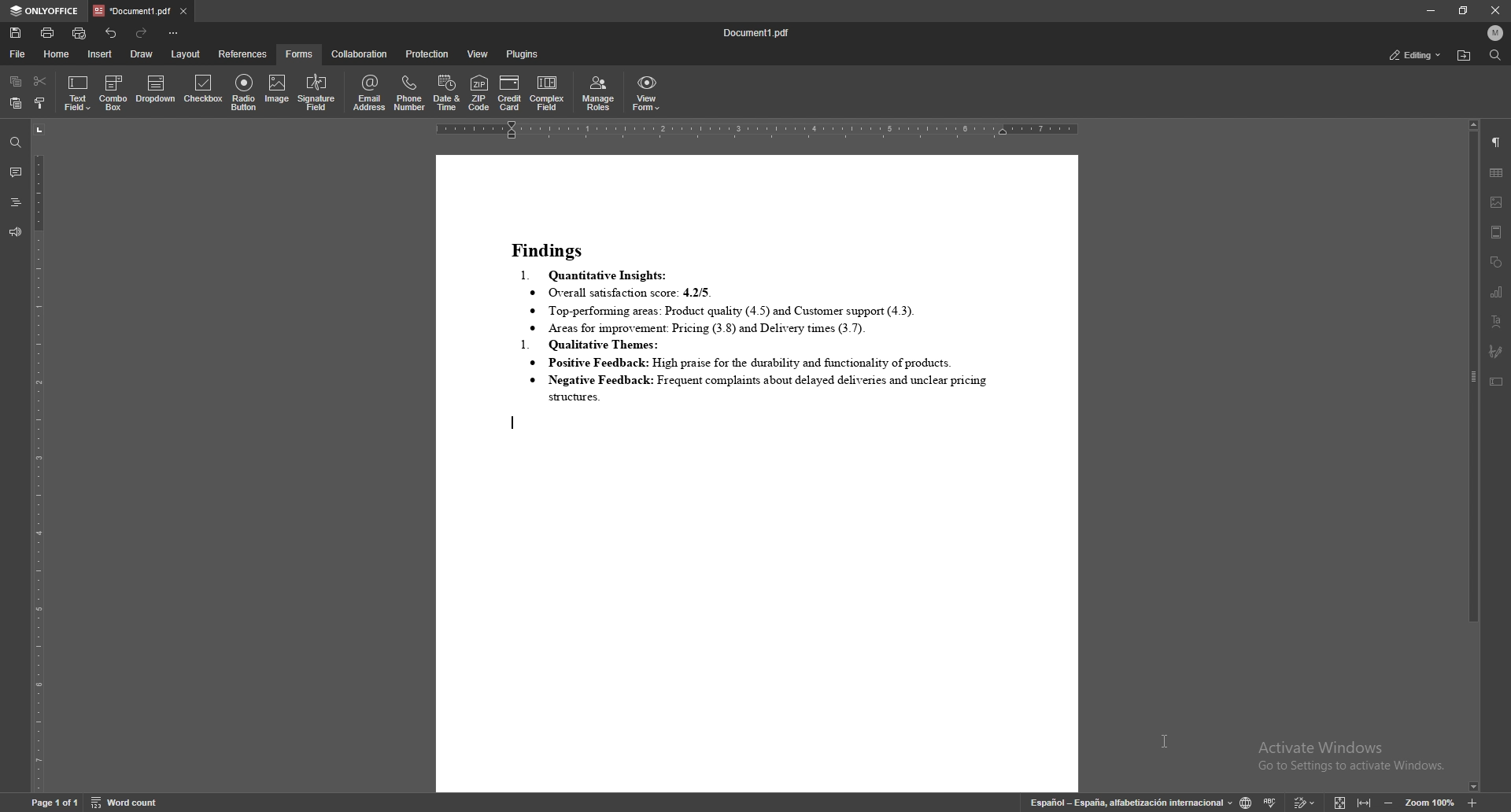 The image size is (1511, 812). I want to click on feedback, so click(15, 233).